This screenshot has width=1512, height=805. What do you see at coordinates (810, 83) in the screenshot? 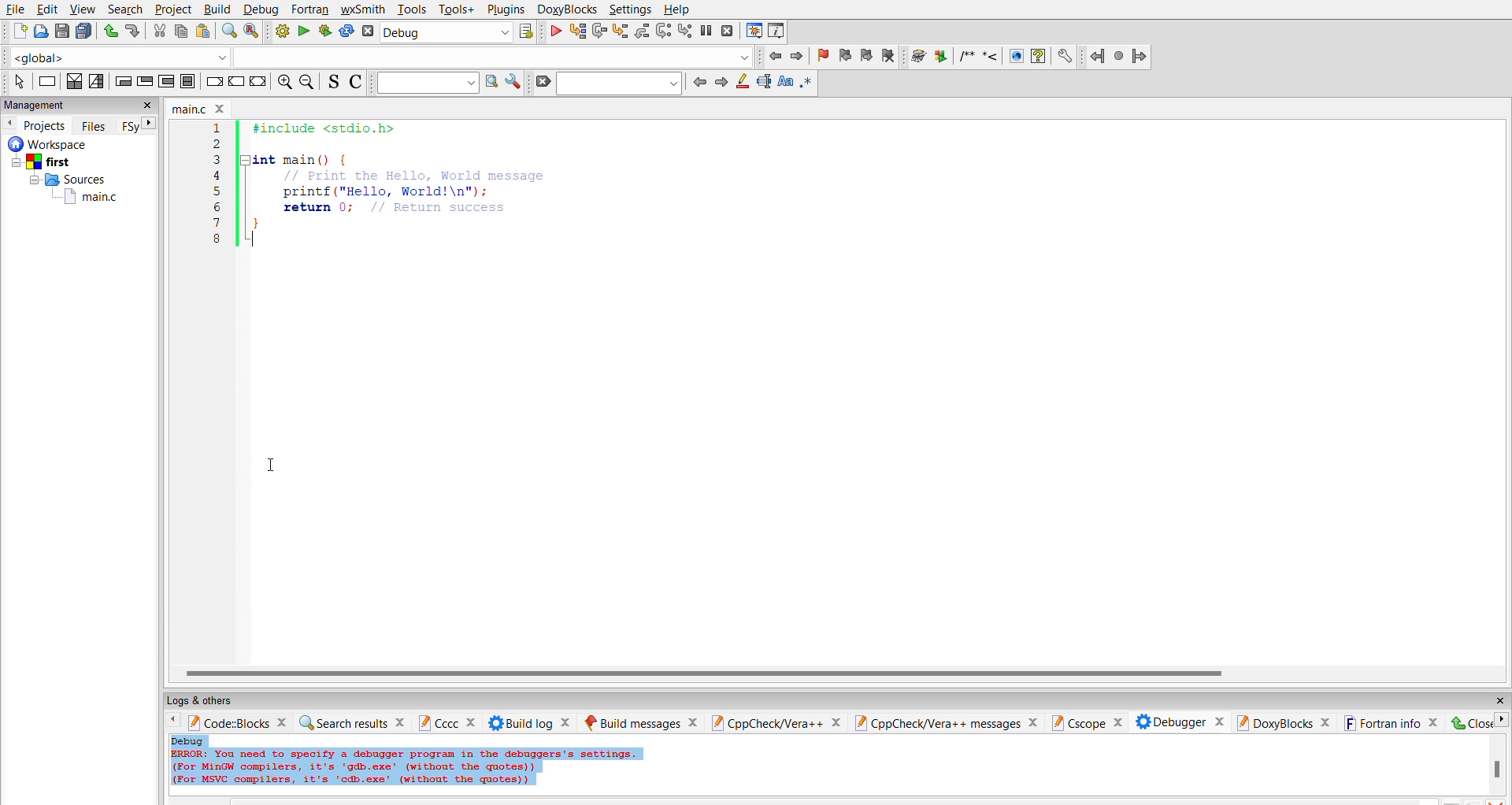
I see `use regex` at bounding box center [810, 83].